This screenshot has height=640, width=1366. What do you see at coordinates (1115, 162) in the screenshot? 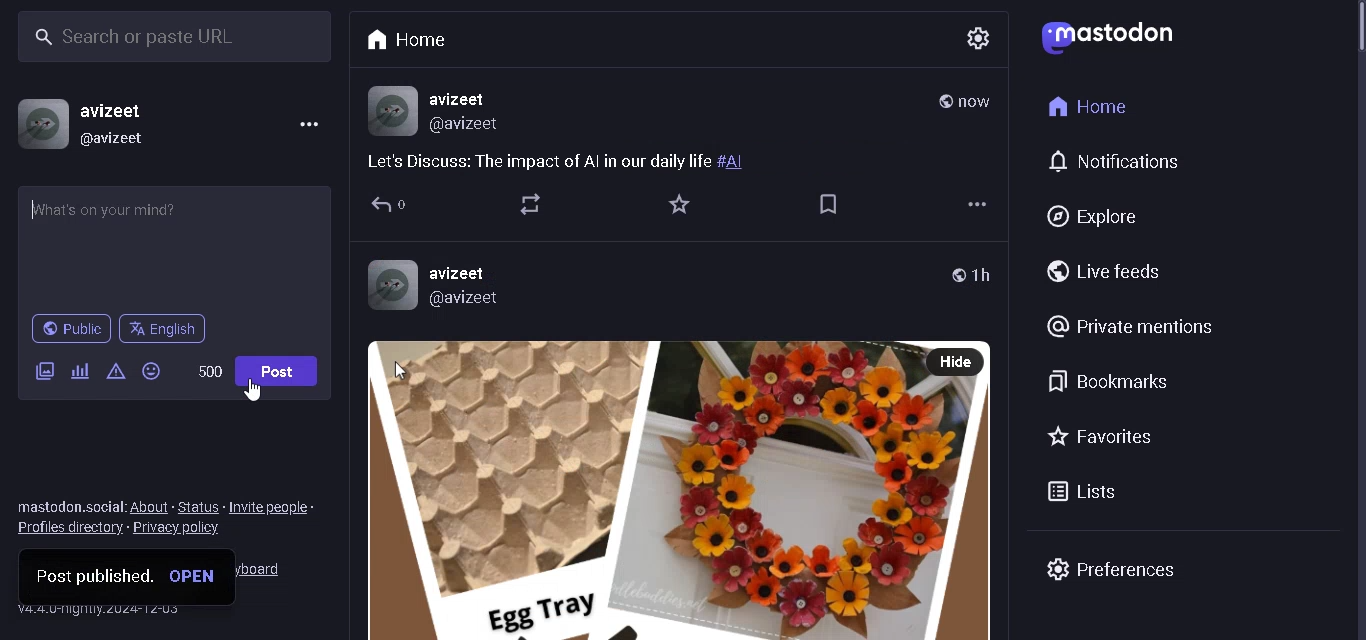
I see `NOTIFICATIONS` at bounding box center [1115, 162].